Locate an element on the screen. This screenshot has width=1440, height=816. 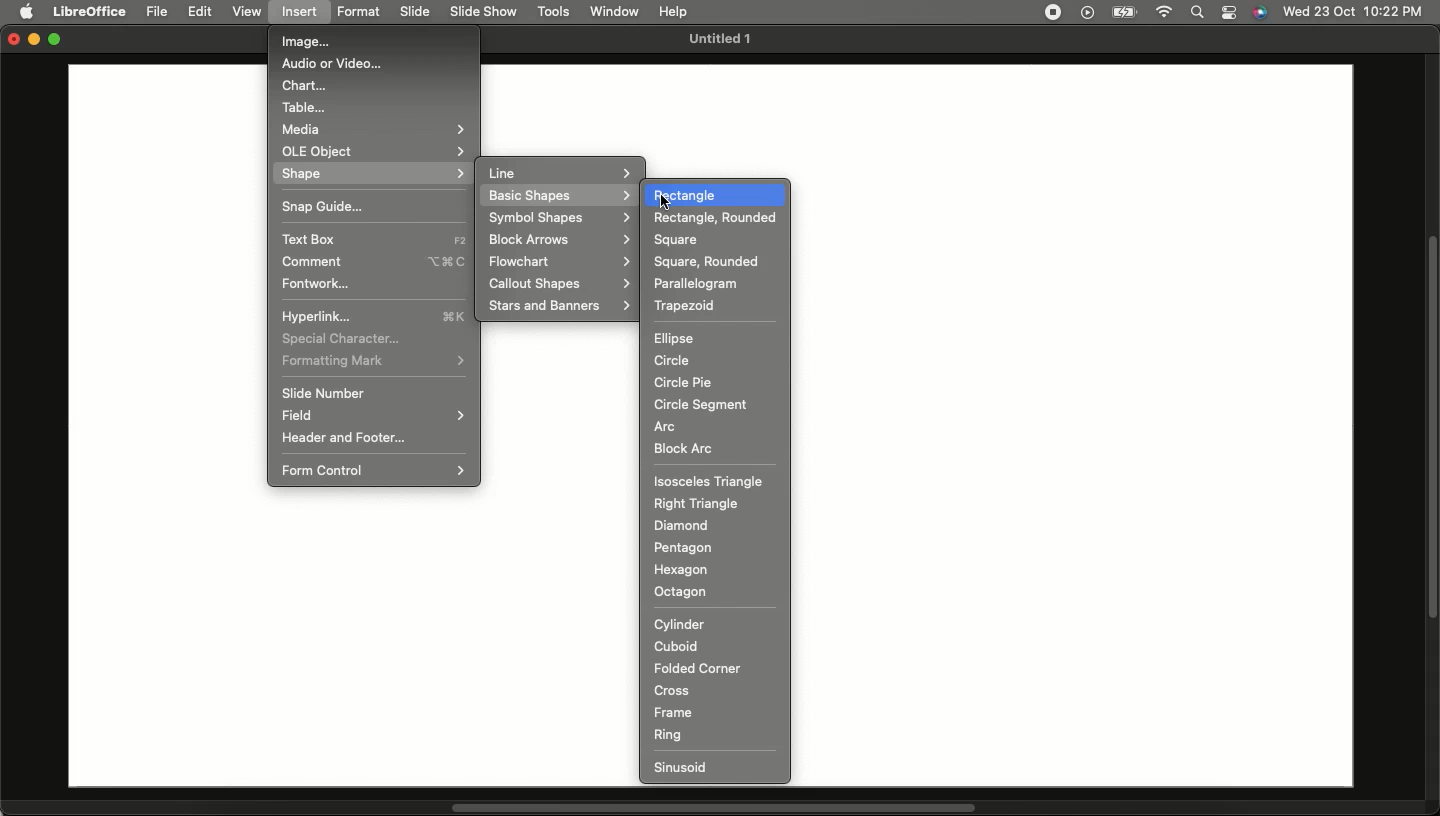
Scroll is located at coordinates (1431, 429).